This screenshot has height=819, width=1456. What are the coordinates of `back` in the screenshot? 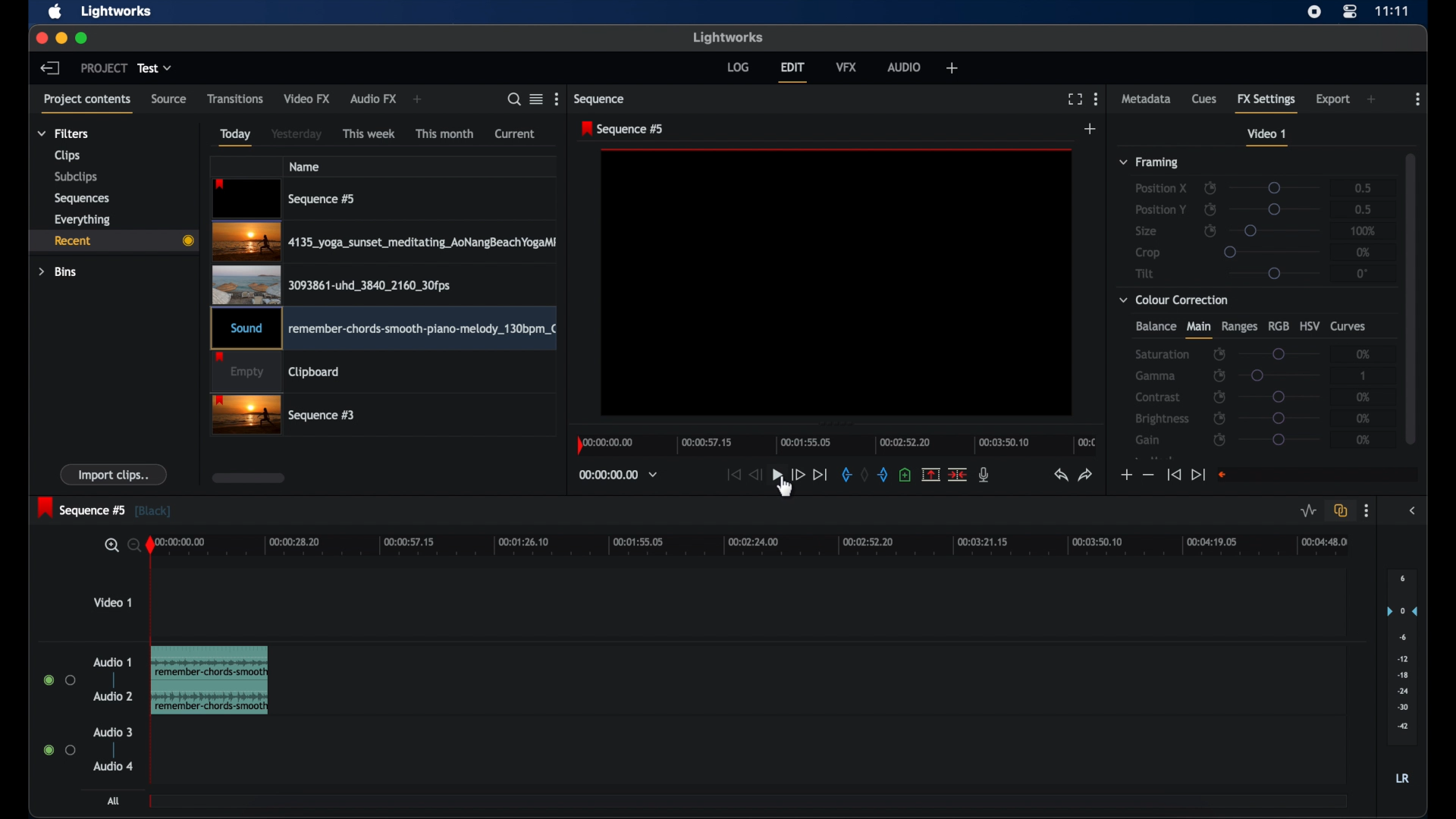 It's located at (50, 68).